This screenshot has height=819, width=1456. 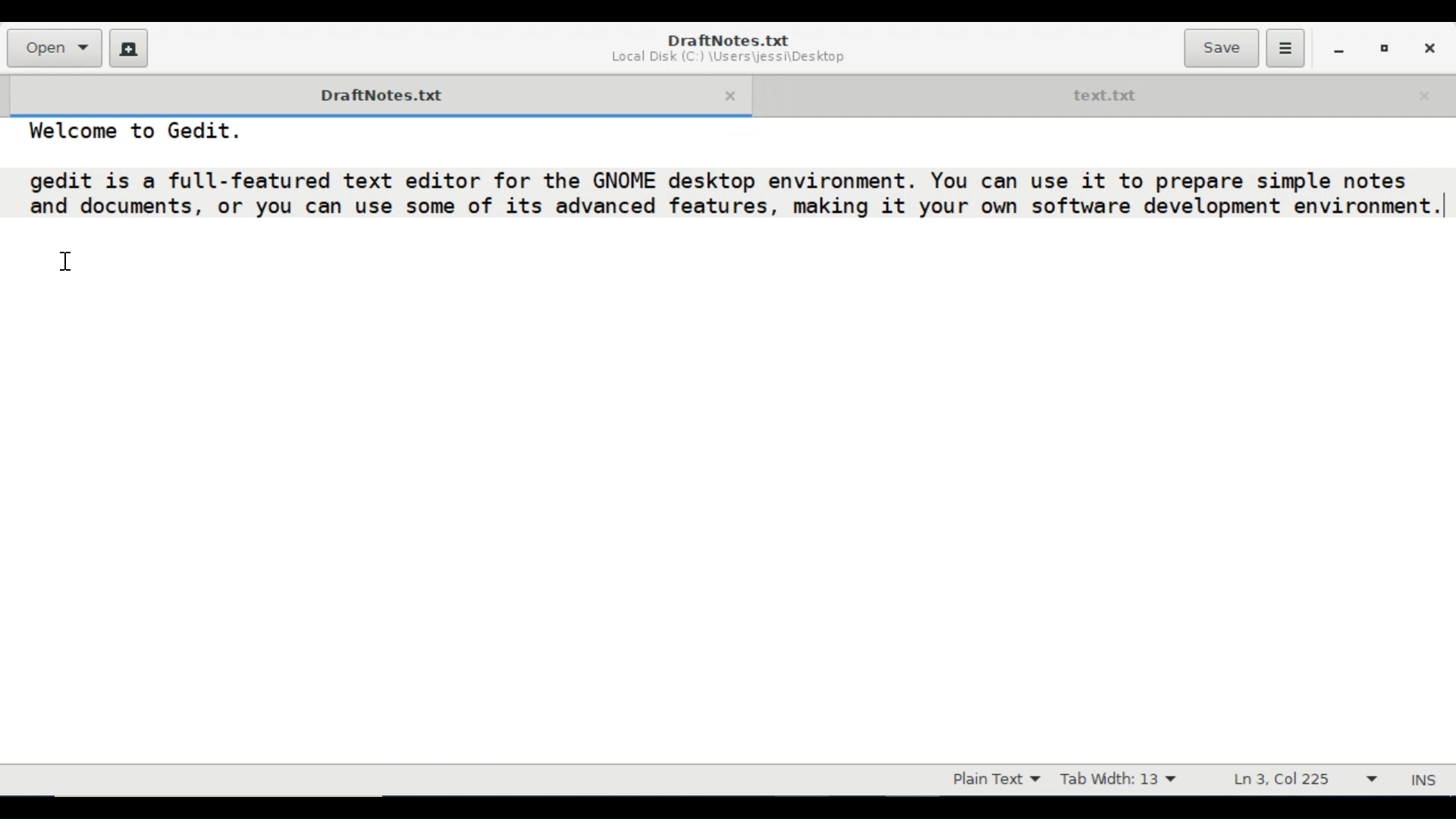 What do you see at coordinates (727, 58) in the screenshot?
I see `Document Path` at bounding box center [727, 58].